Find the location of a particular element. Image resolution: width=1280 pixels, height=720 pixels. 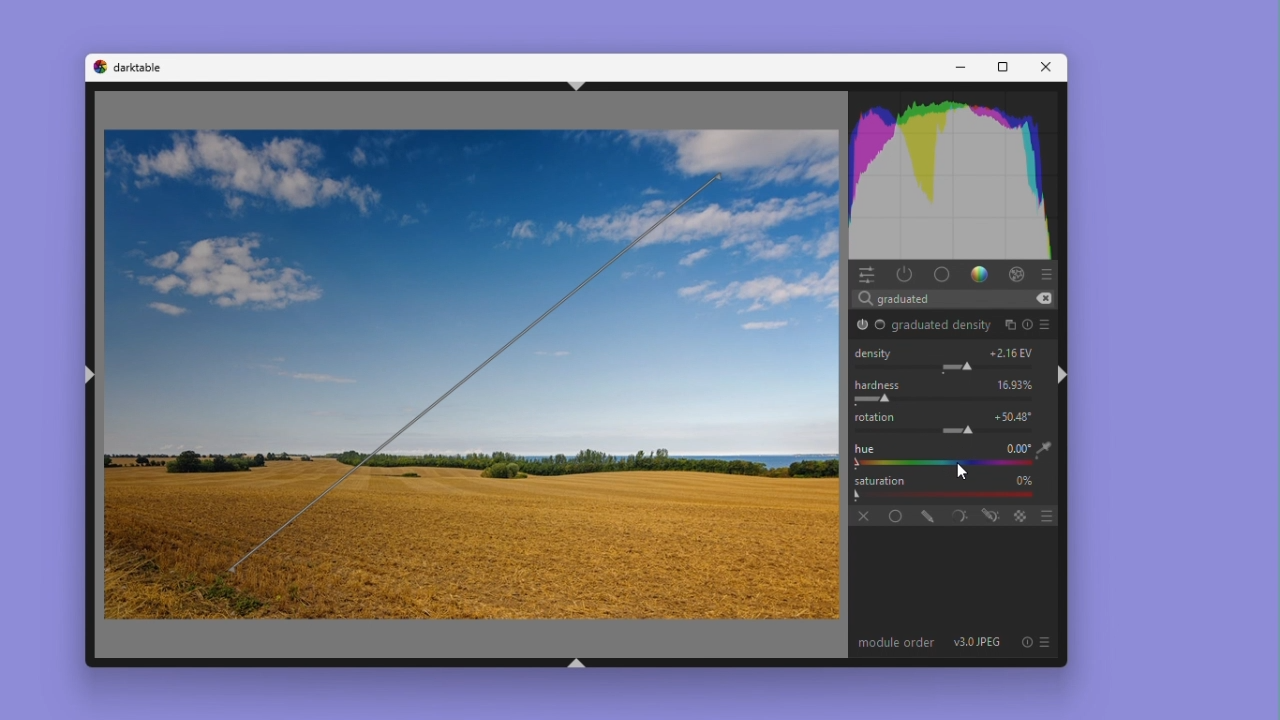

blending options is located at coordinates (1046, 514).